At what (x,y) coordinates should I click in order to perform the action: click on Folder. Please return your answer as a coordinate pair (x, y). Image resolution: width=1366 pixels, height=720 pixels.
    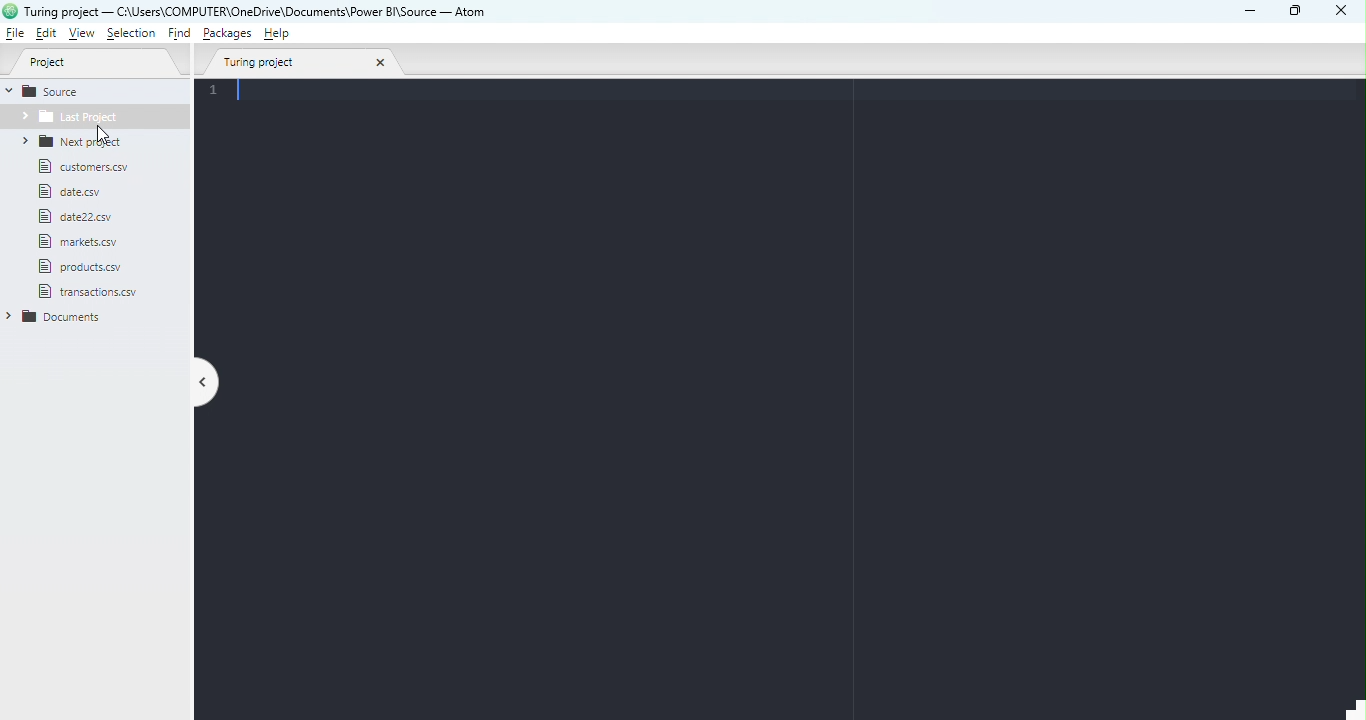
    Looking at the image, I should click on (93, 119).